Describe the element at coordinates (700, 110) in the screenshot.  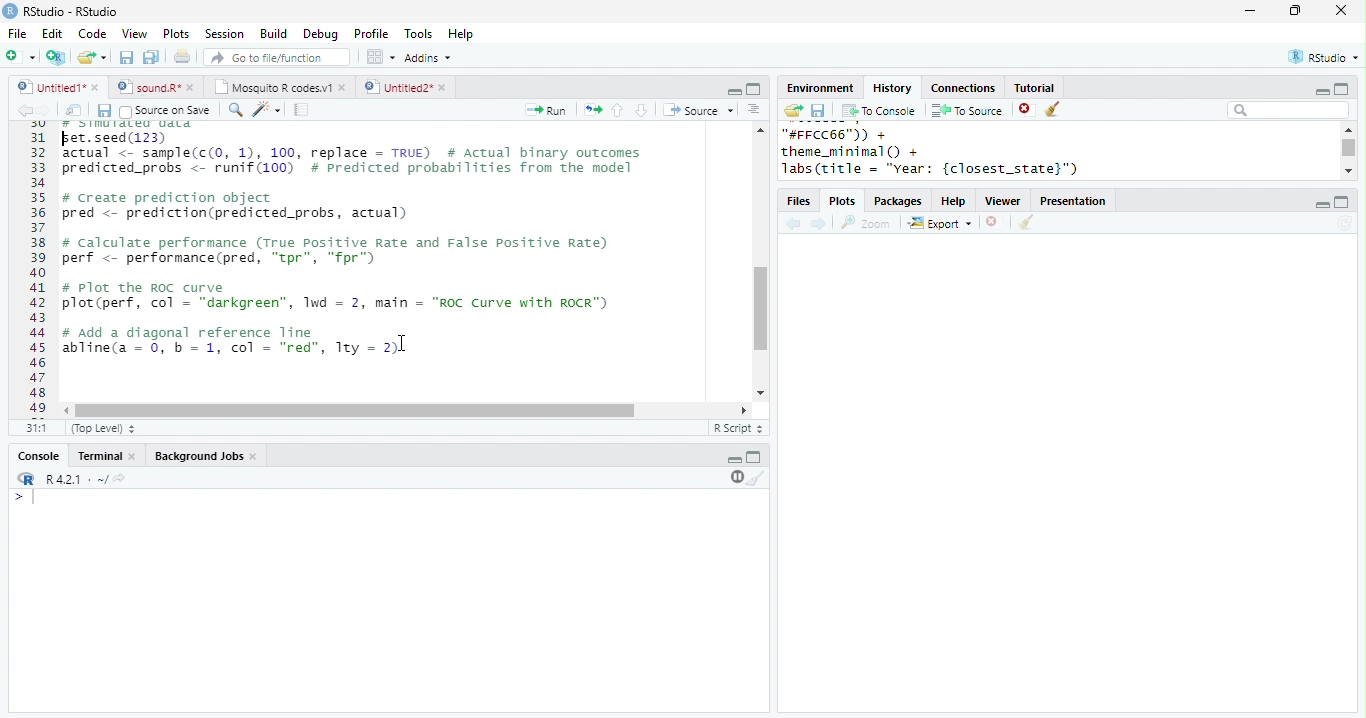
I see `Source` at that location.